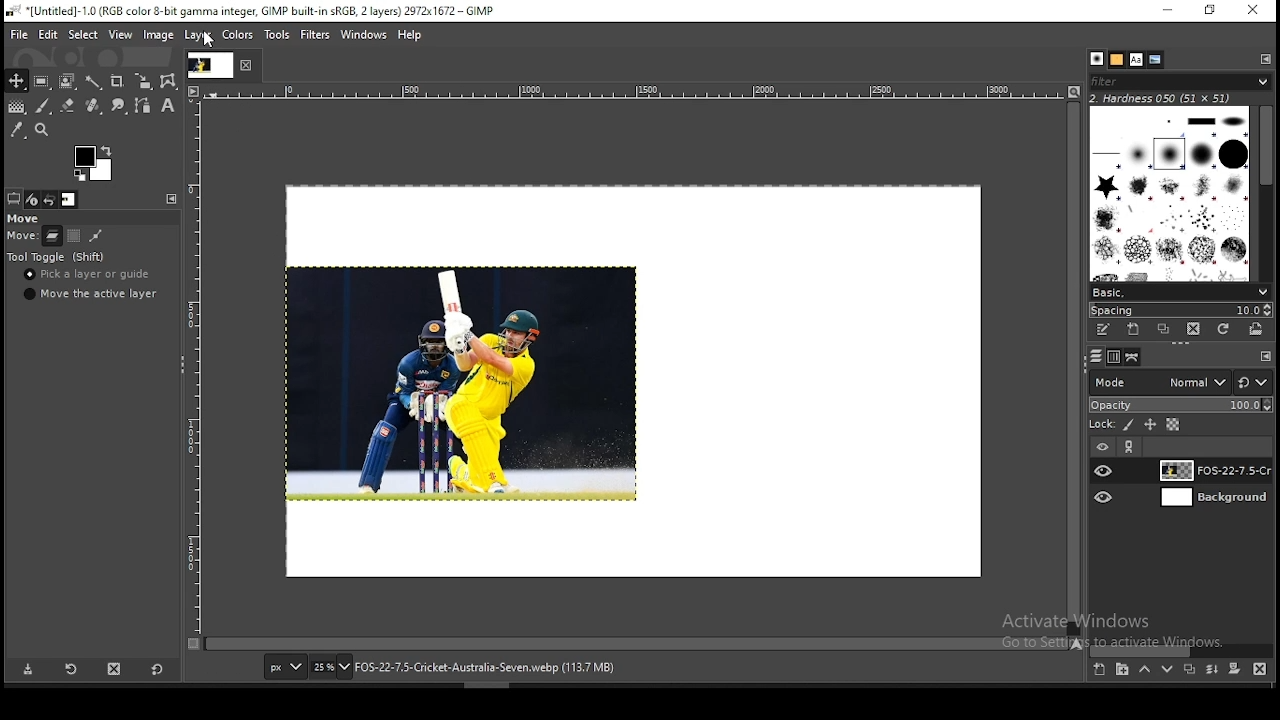  Describe the element at coordinates (1180, 291) in the screenshot. I see `brush presets` at that location.